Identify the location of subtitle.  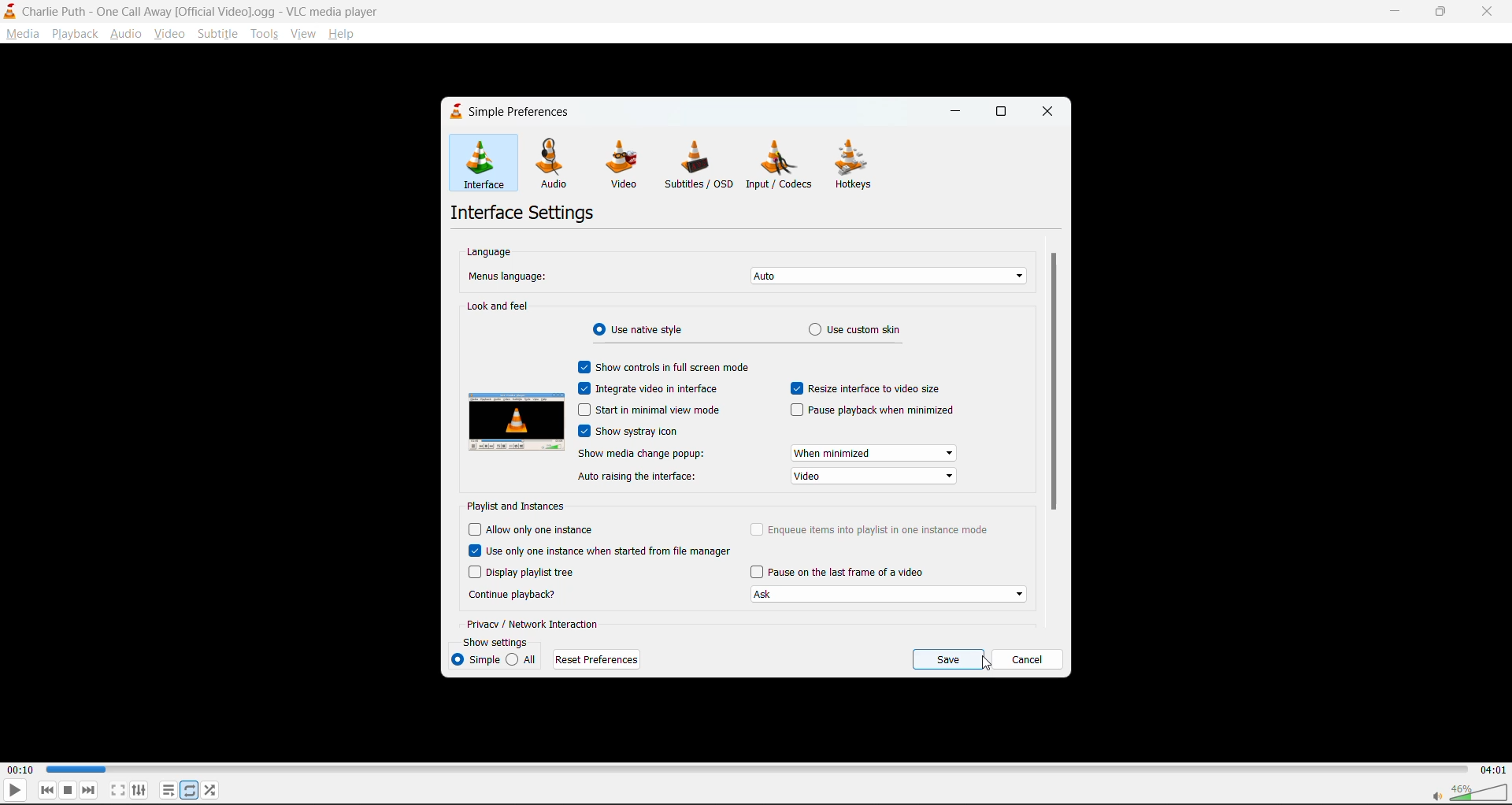
(220, 35).